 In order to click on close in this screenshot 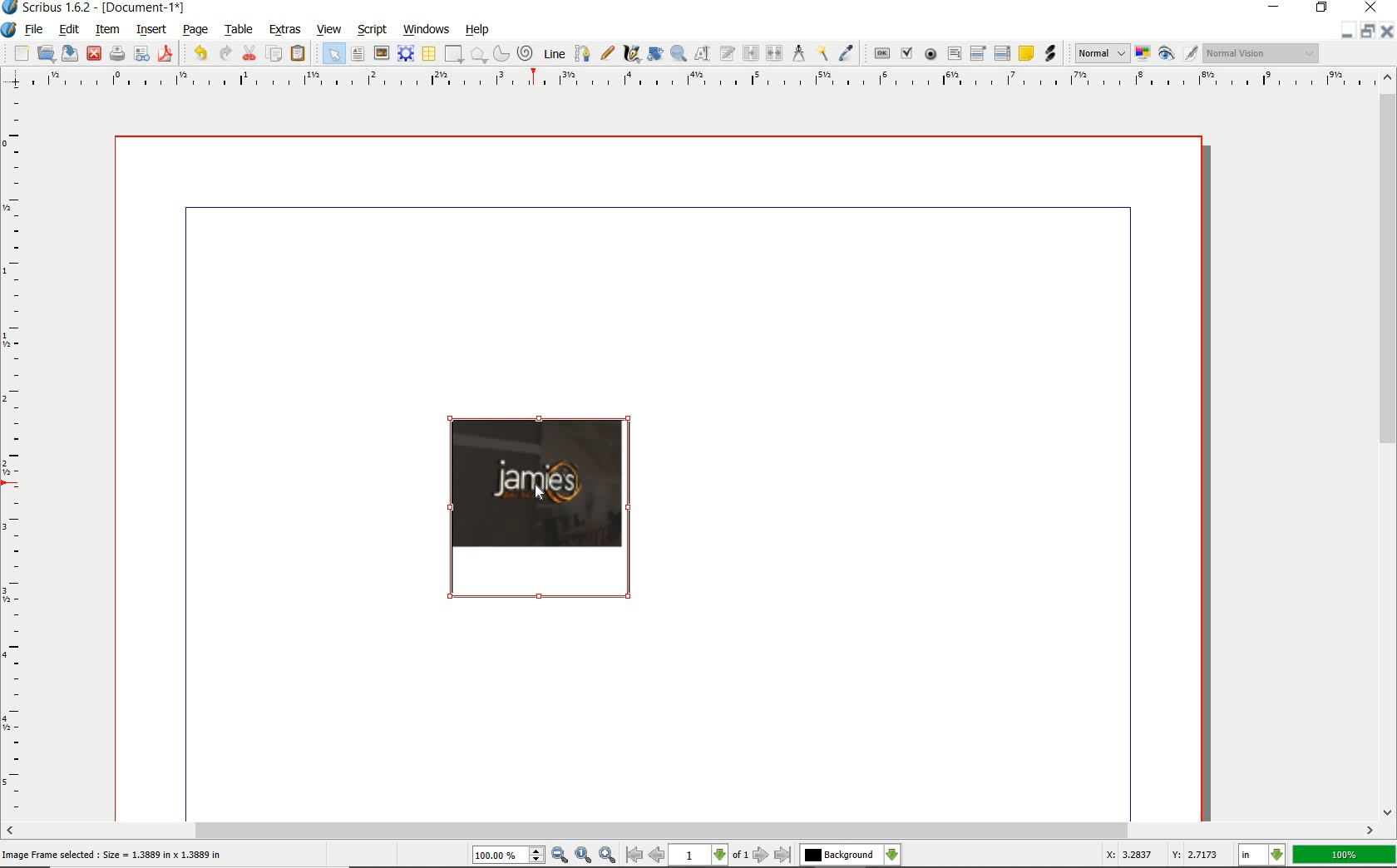, I will do `click(96, 52)`.